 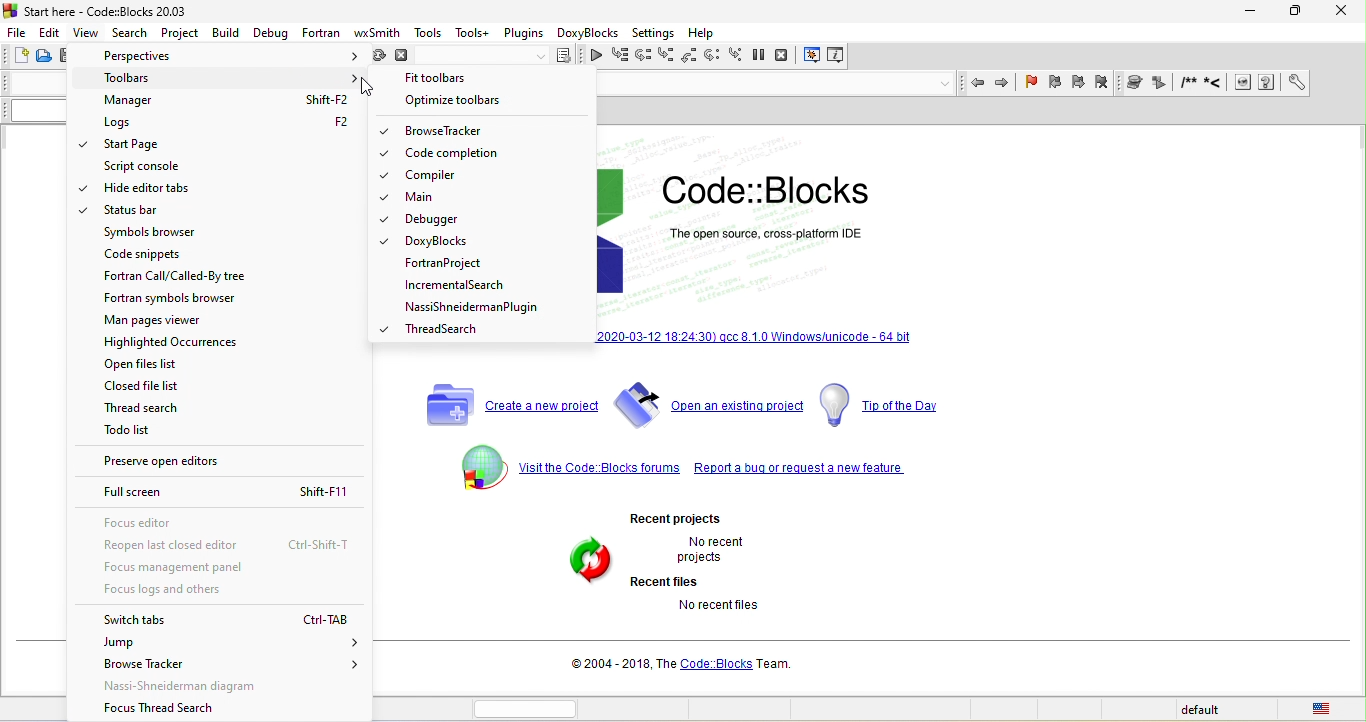 I want to click on various info, so click(x=839, y=55).